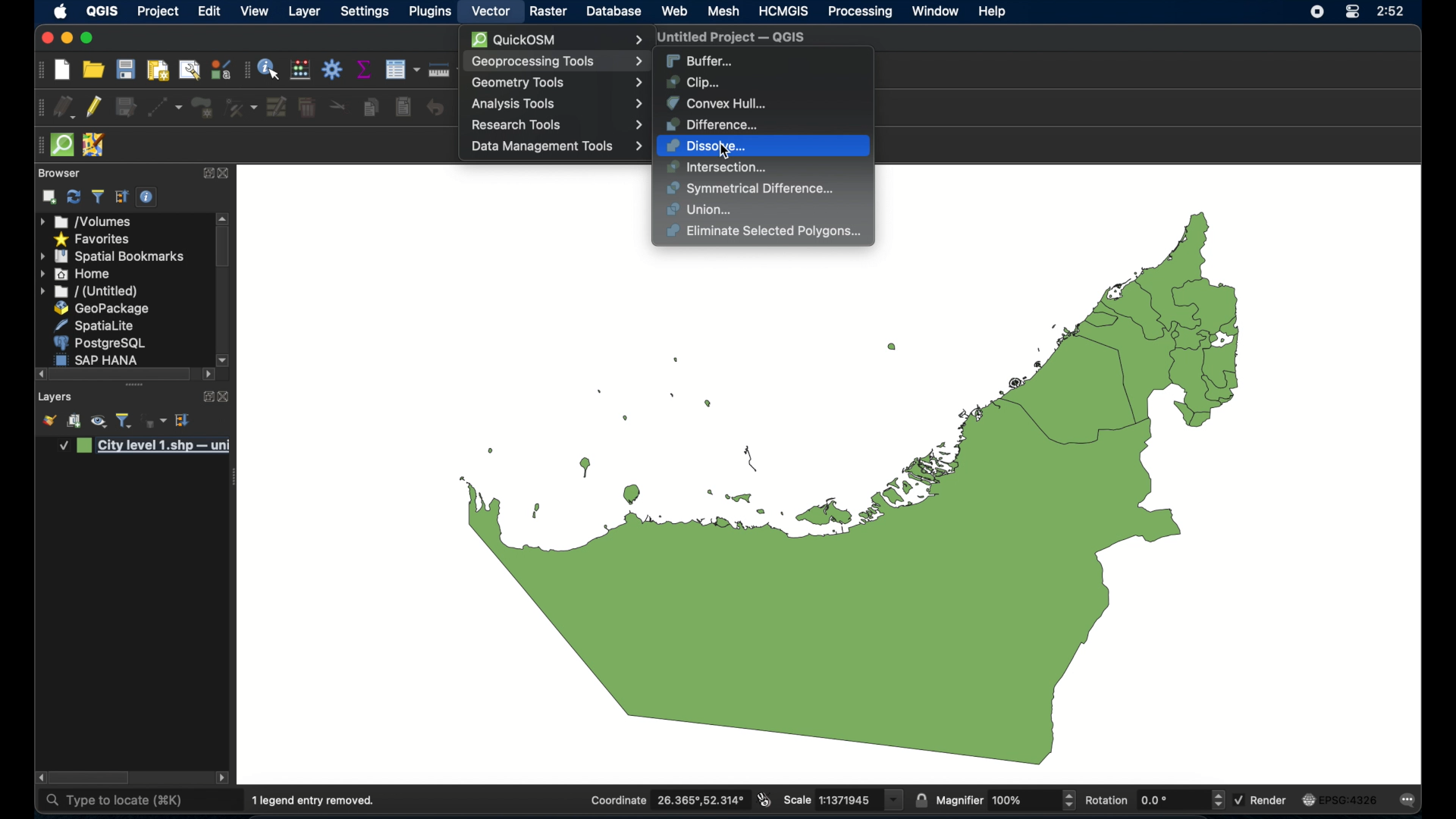 The width and height of the screenshot is (1456, 819). Describe the element at coordinates (45, 39) in the screenshot. I see `maximize` at that location.